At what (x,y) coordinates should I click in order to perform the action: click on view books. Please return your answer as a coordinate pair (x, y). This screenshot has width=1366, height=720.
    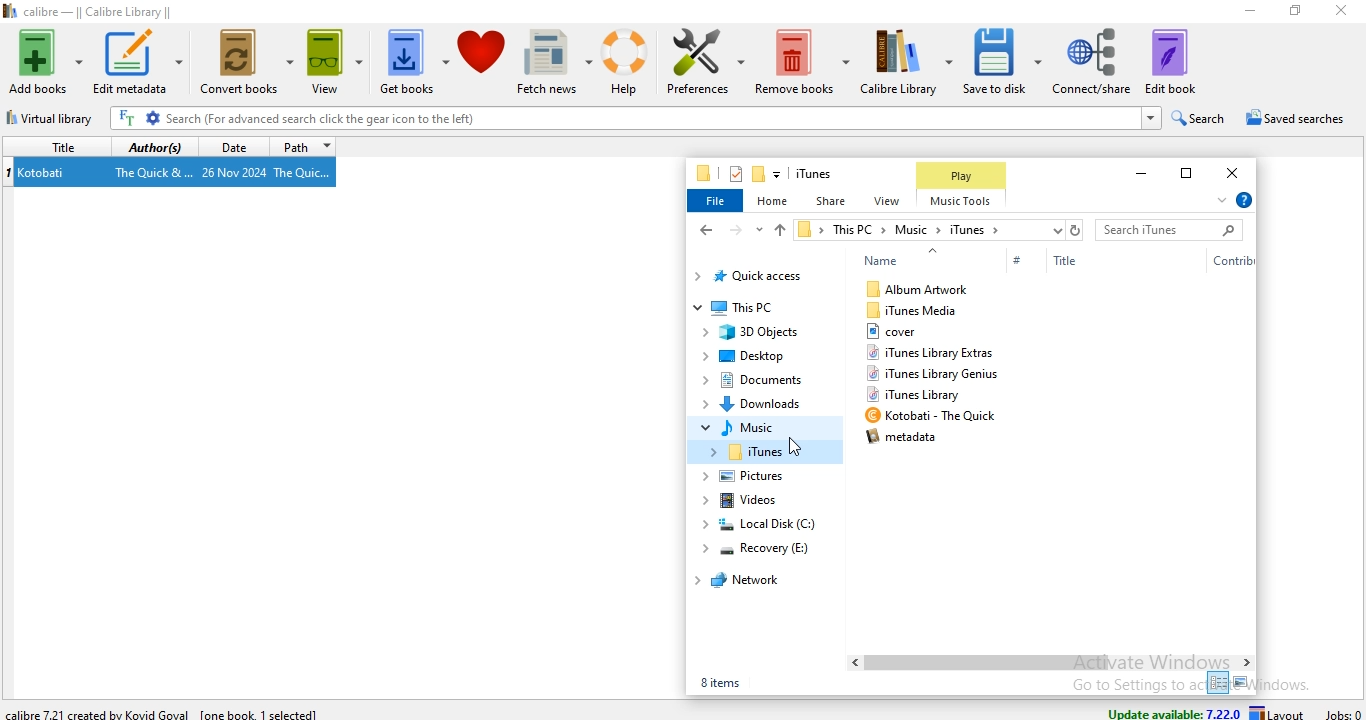
    Looking at the image, I should click on (337, 63).